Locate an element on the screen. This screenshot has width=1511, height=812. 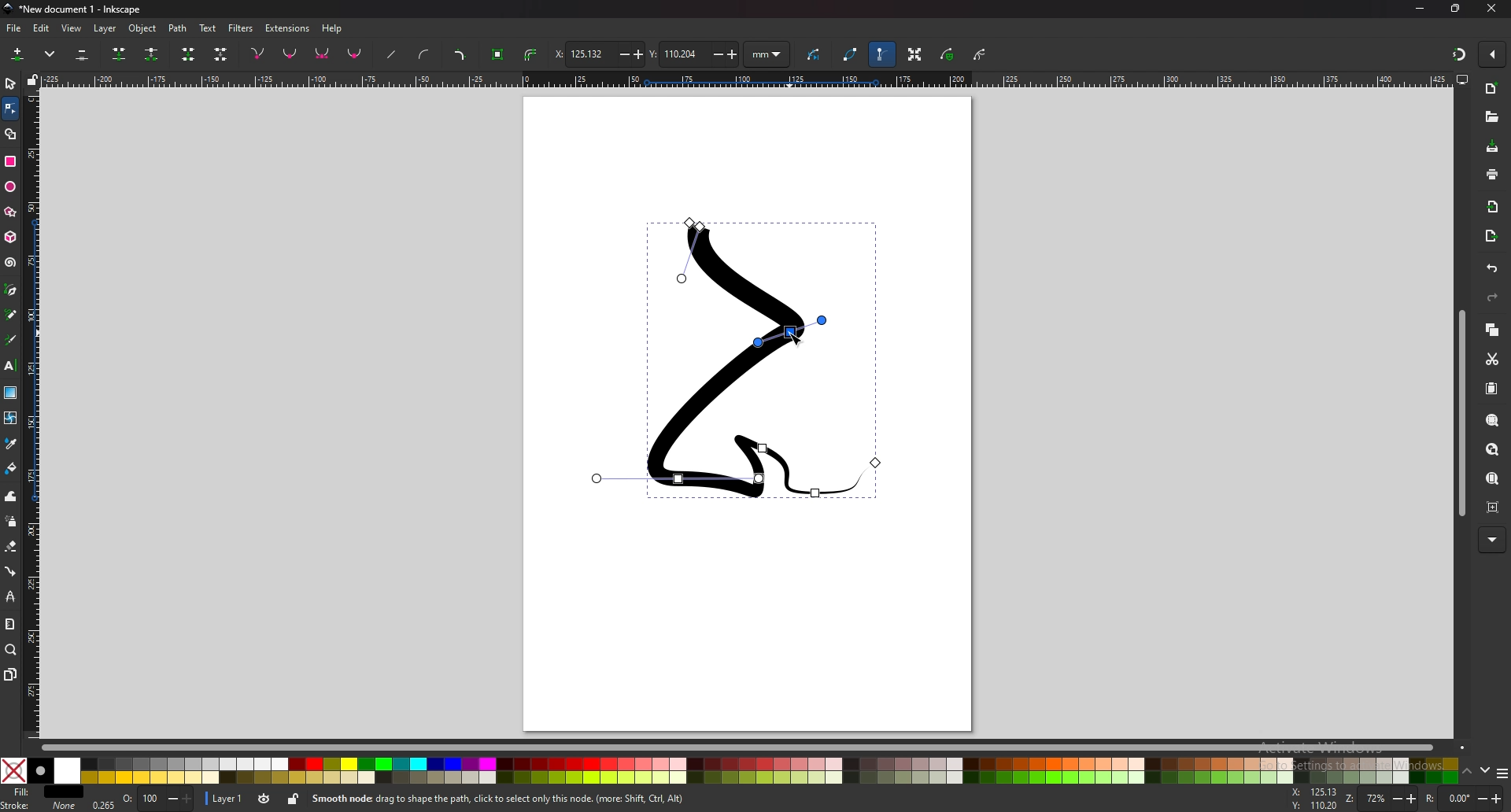
display view is located at coordinates (1462, 80).